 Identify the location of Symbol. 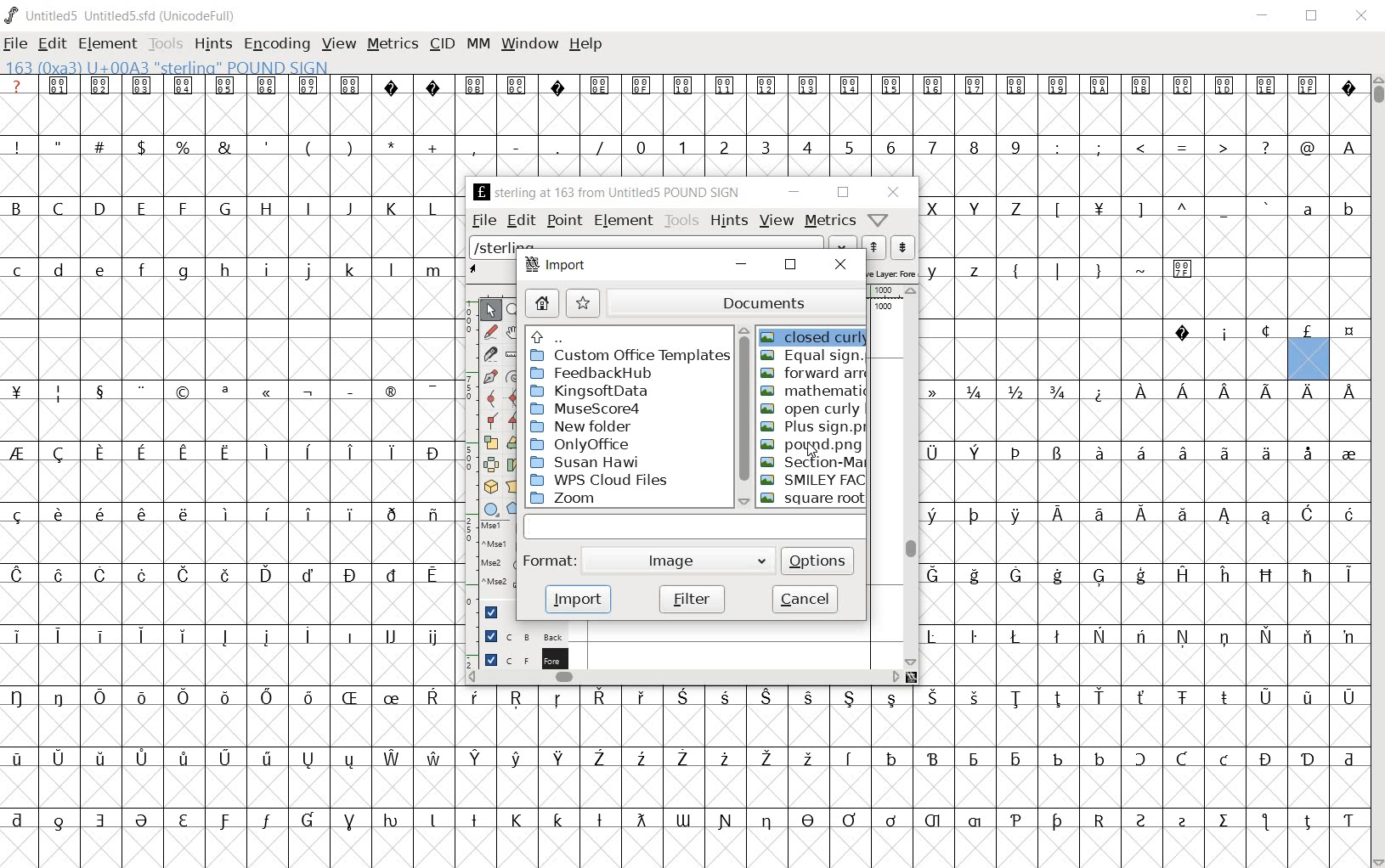
(20, 759).